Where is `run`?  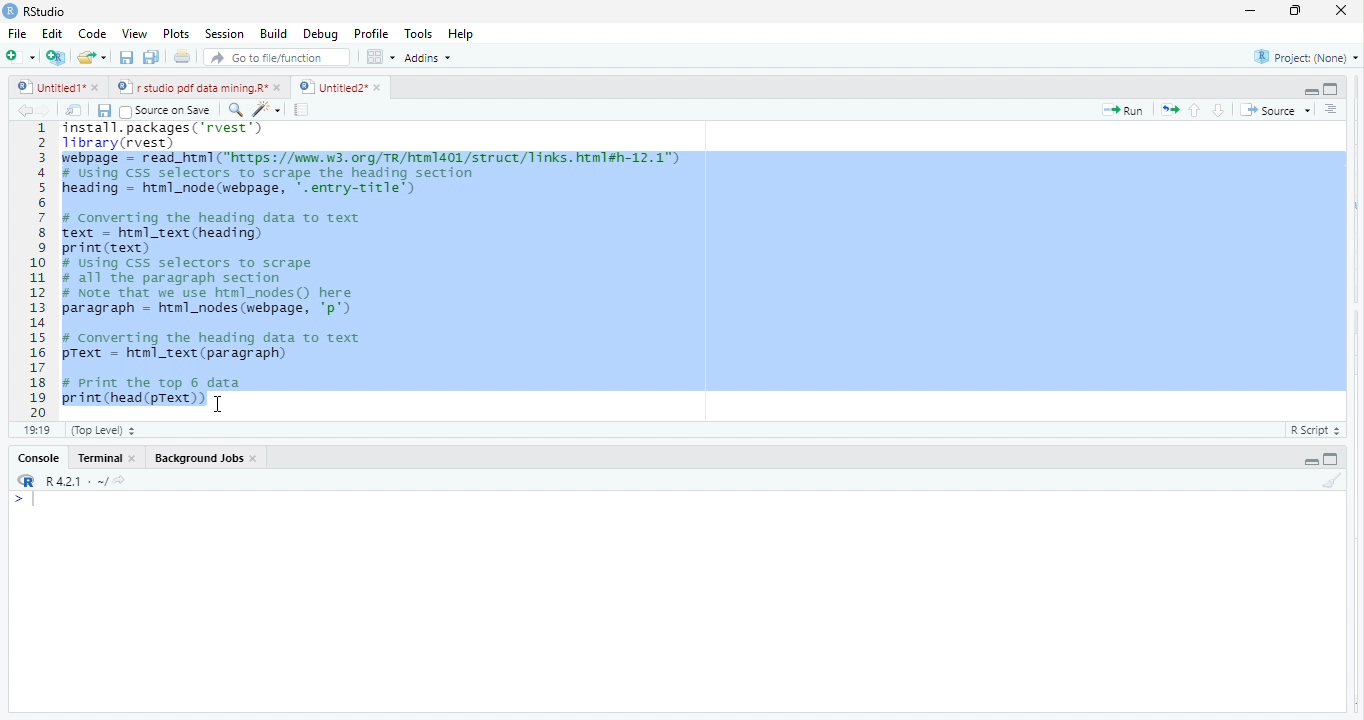
run is located at coordinates (1124, 111).